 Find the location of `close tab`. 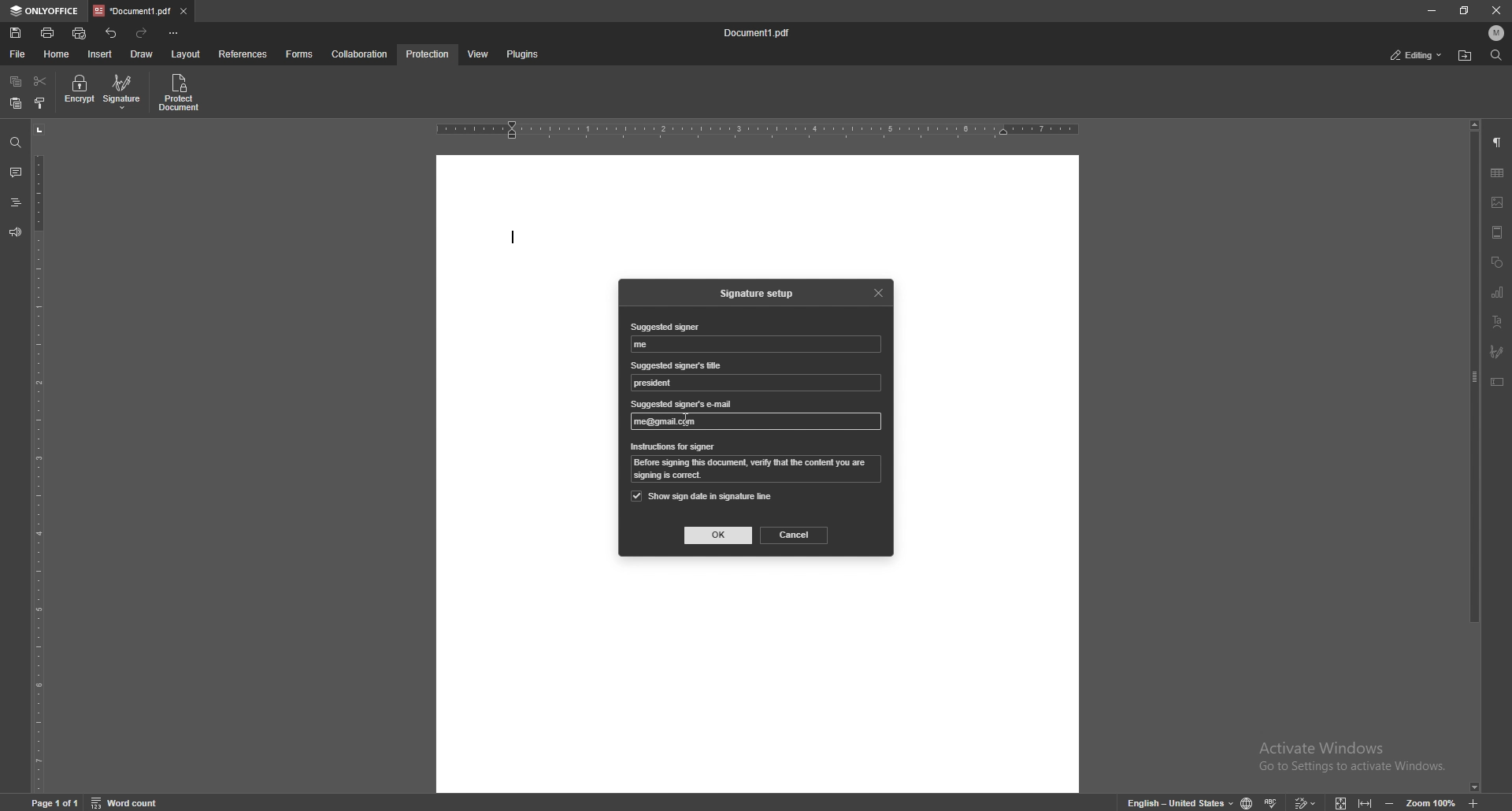

close tab is located at coordinates (184, 10).